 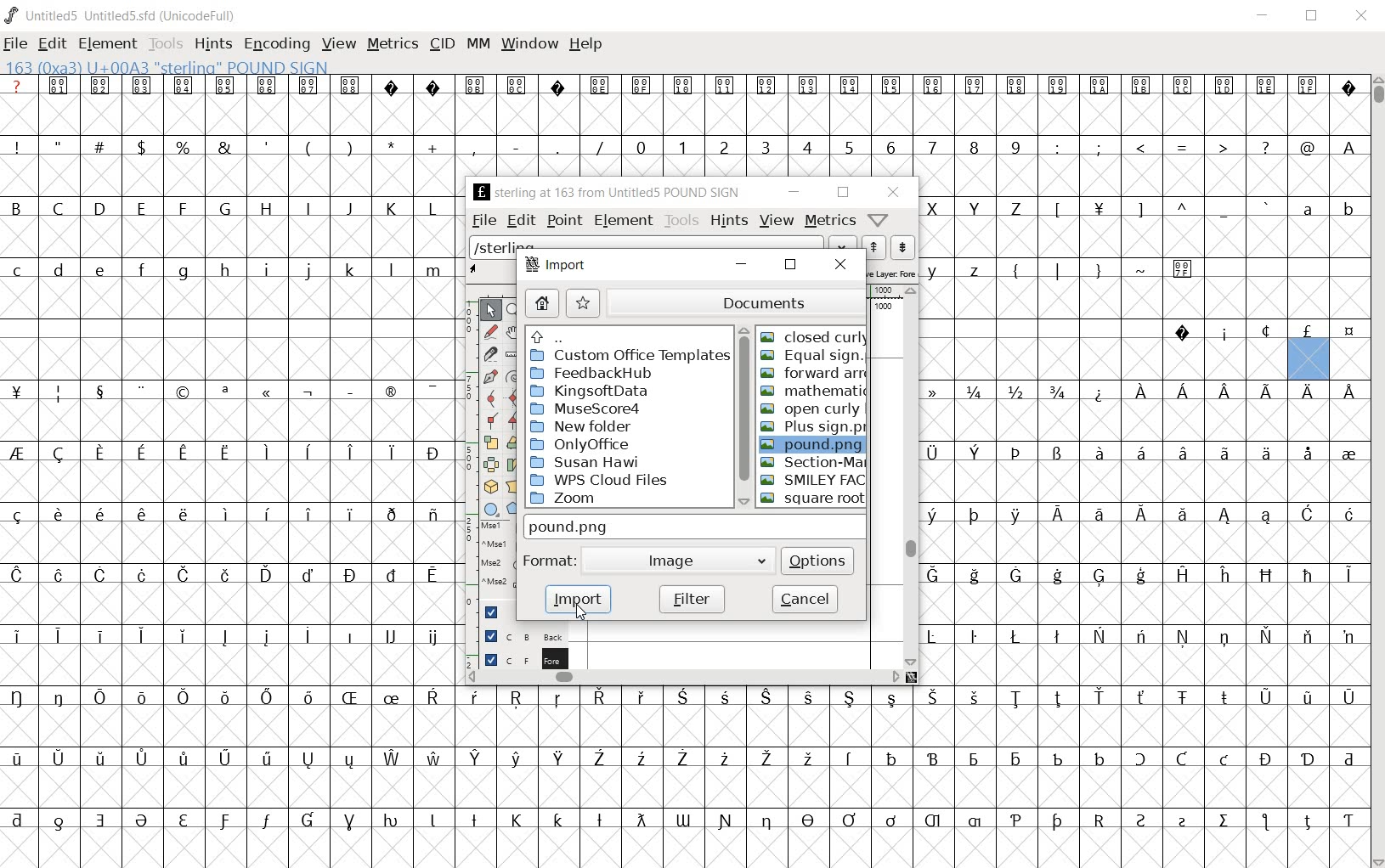 What do you see at coordinates (1363, 17) in the screenshot?
I see `close` at bounding box center [1363, 17].